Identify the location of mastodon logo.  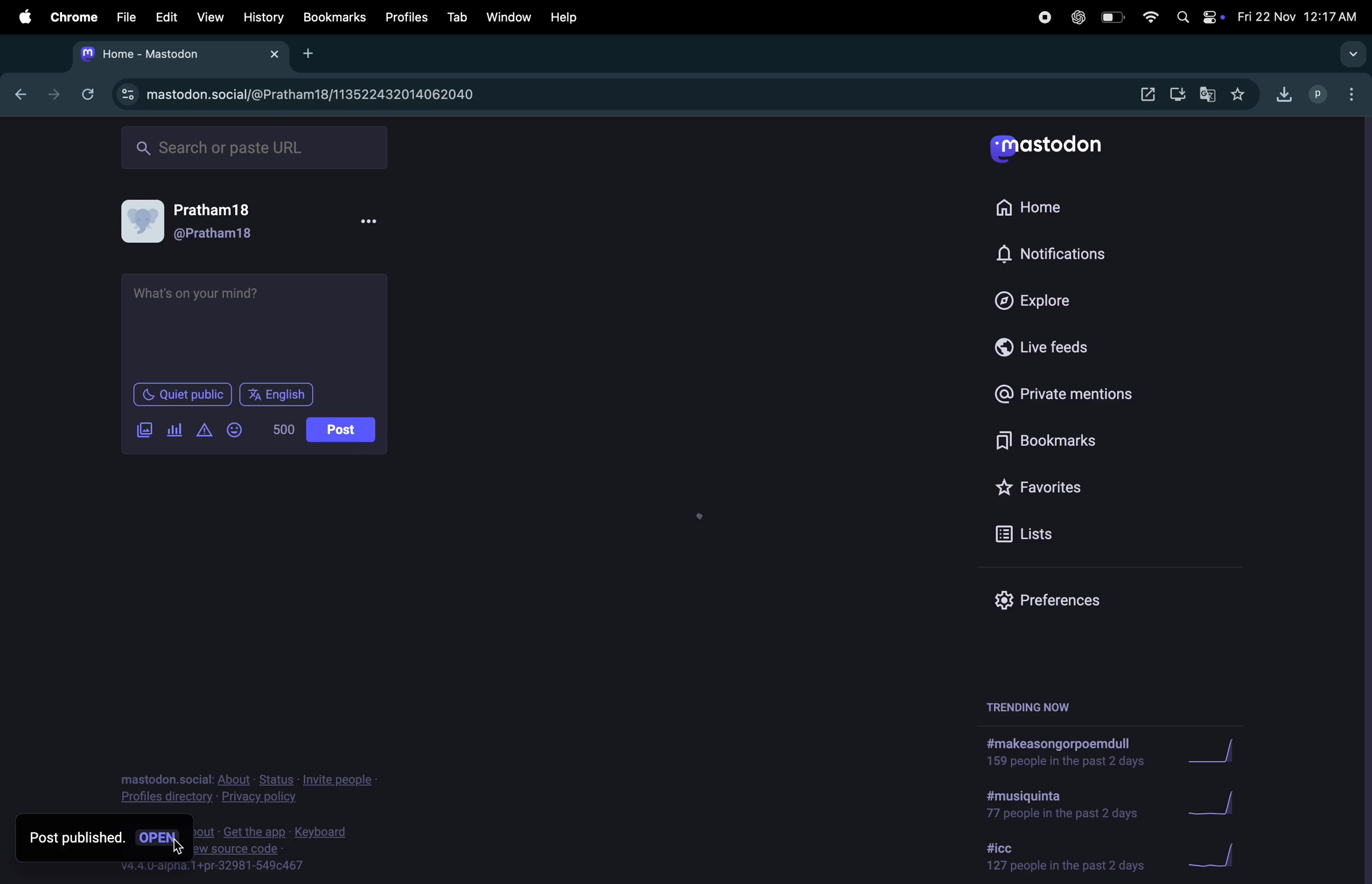
(1061, 146).